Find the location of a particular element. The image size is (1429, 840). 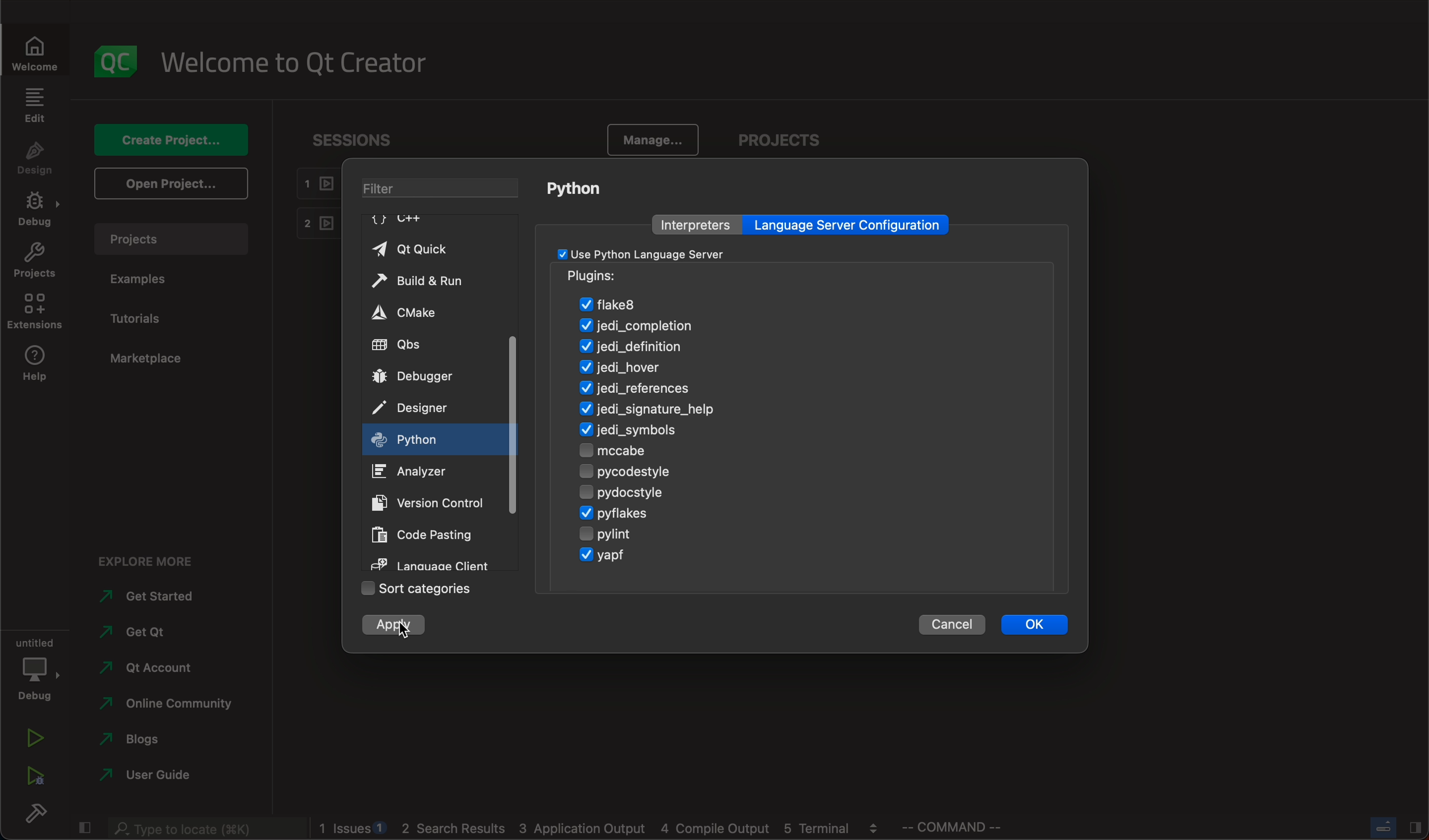

logs is located at coordinates (599, 828).